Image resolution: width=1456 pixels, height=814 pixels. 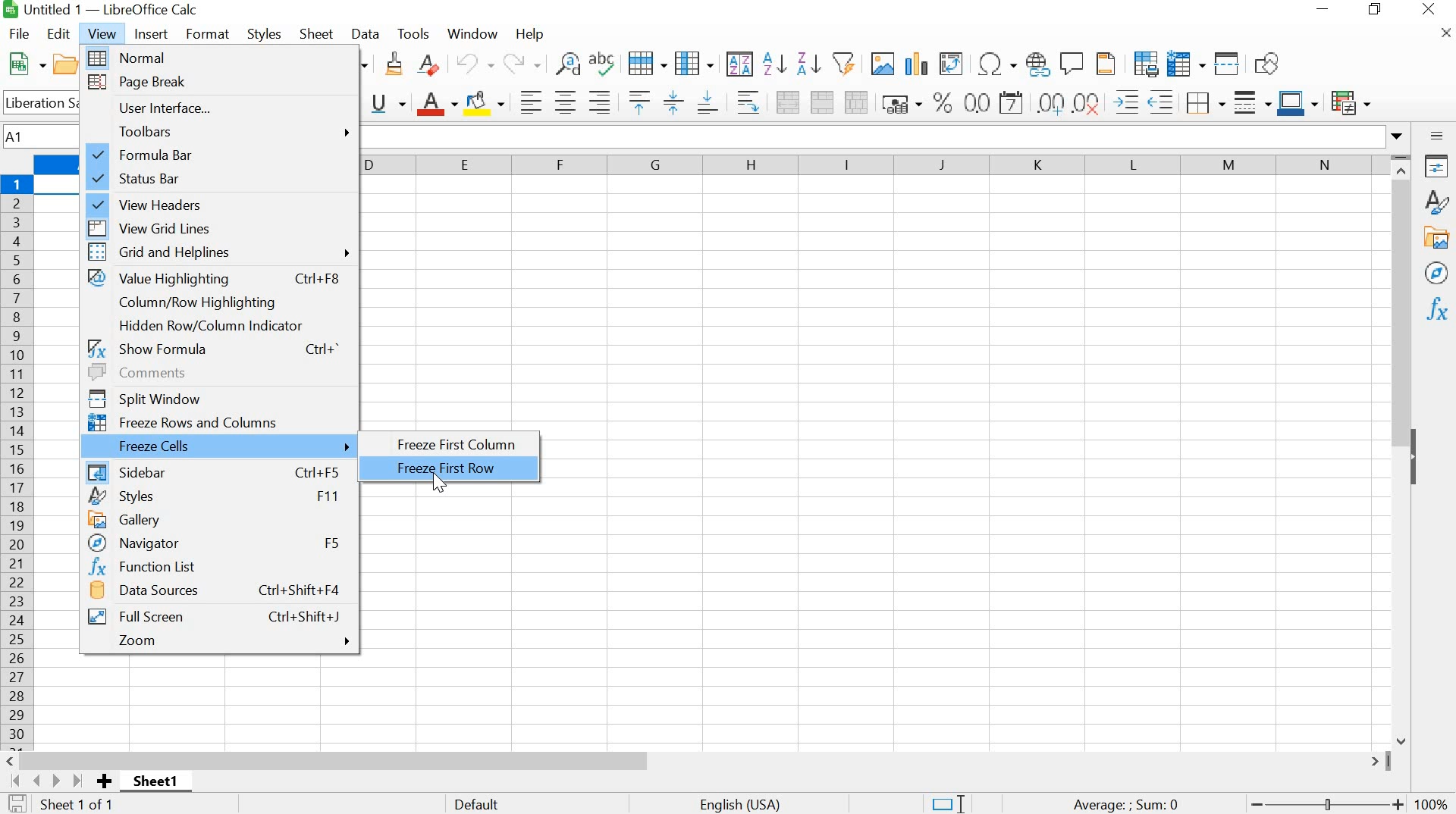 I want to click on GALLERY, so click(x=1437, y=238).